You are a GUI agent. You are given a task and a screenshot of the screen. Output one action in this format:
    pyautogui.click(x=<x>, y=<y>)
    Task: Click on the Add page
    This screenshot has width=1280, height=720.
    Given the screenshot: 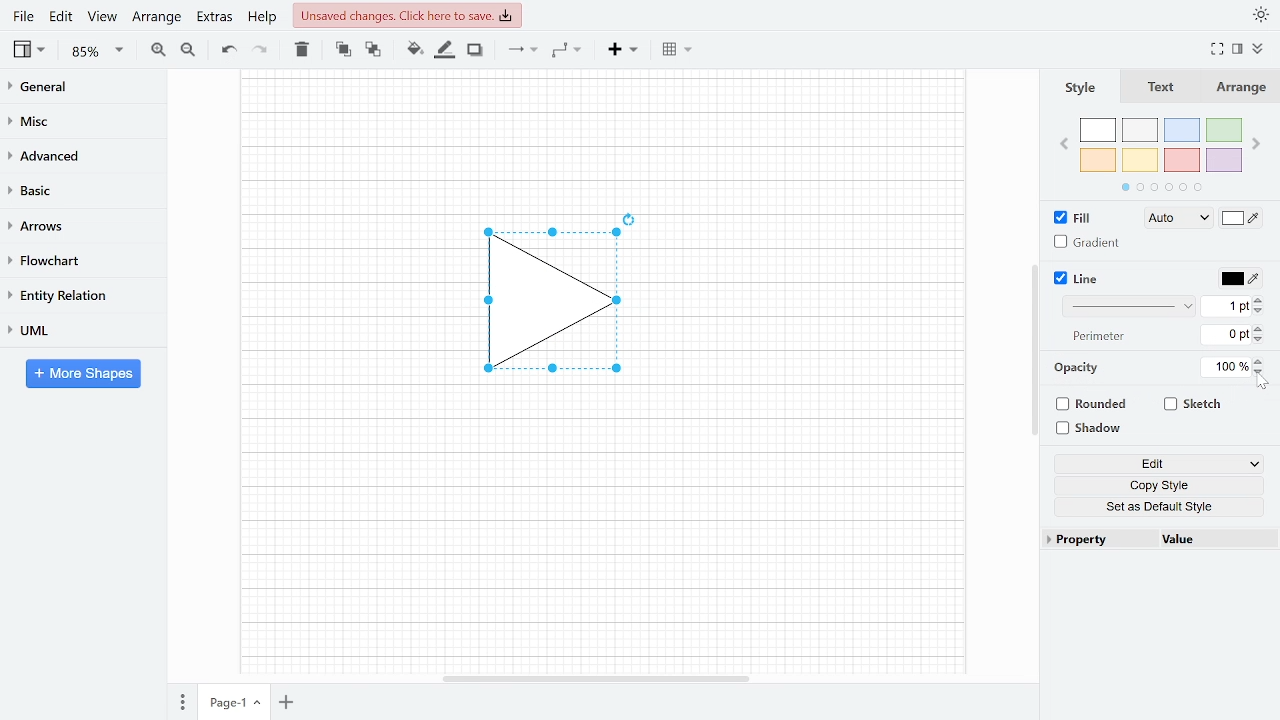 What is the action you would take?
    pyautogui.click(x=290, y=704)
    